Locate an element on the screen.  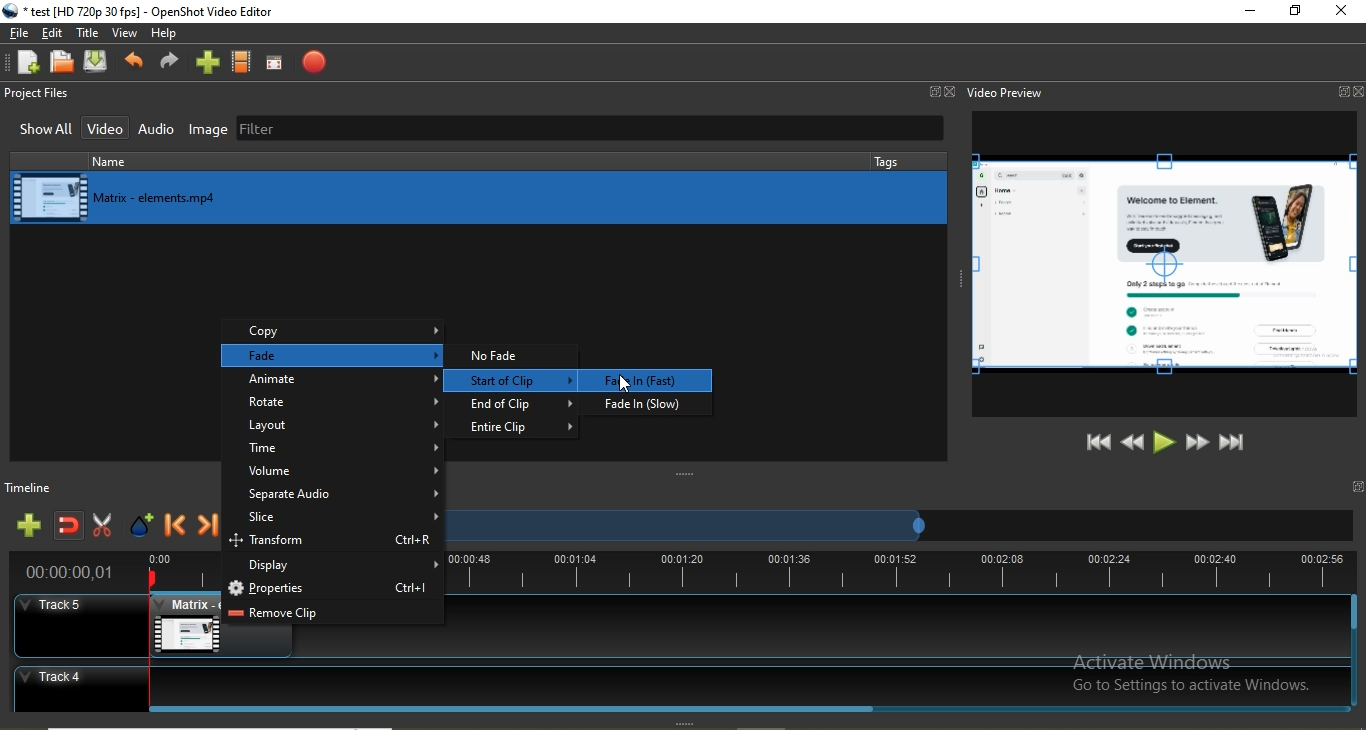
Open project is located at coordinates (63, 61).